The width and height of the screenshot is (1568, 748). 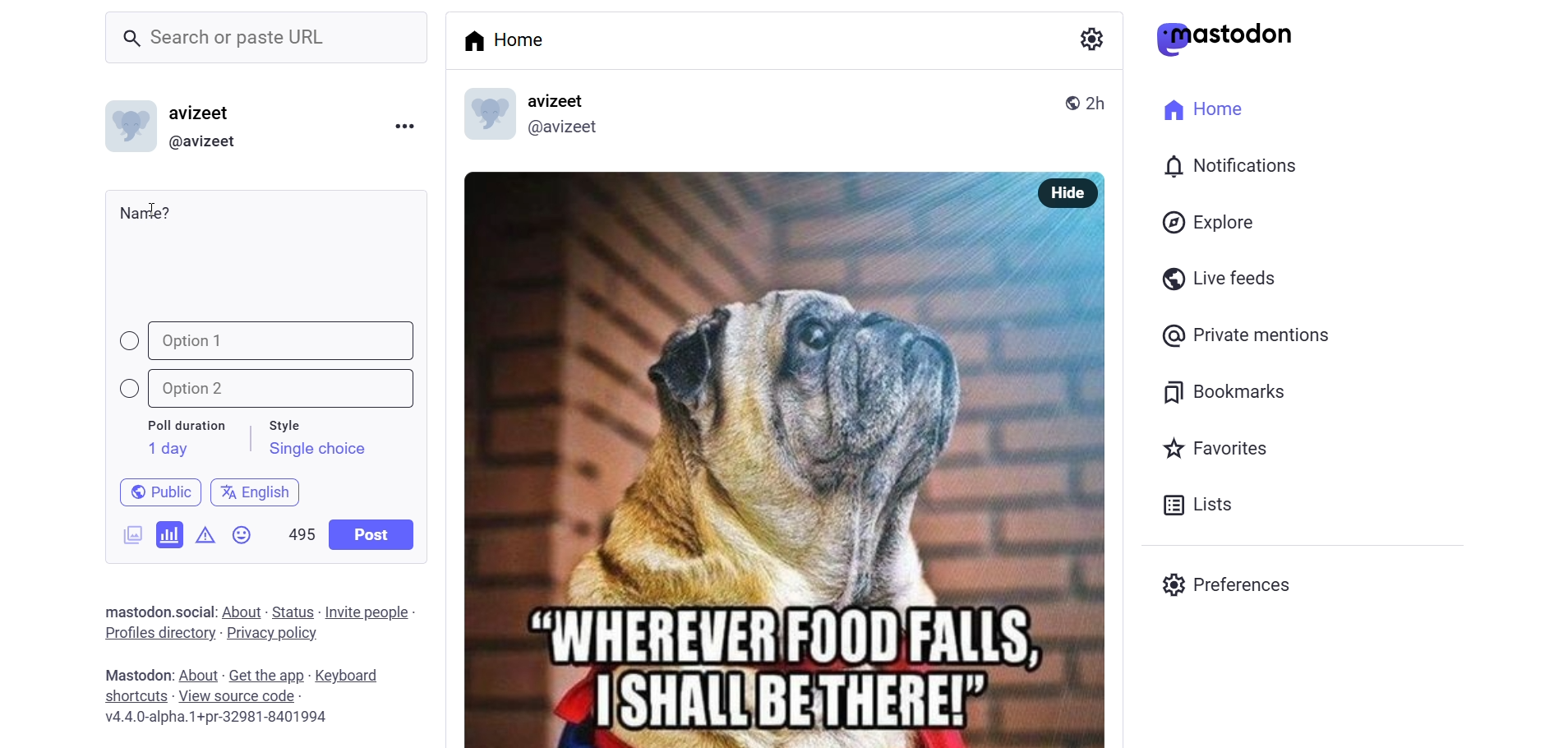 I want to click on name?, so click(x=145, y=212).